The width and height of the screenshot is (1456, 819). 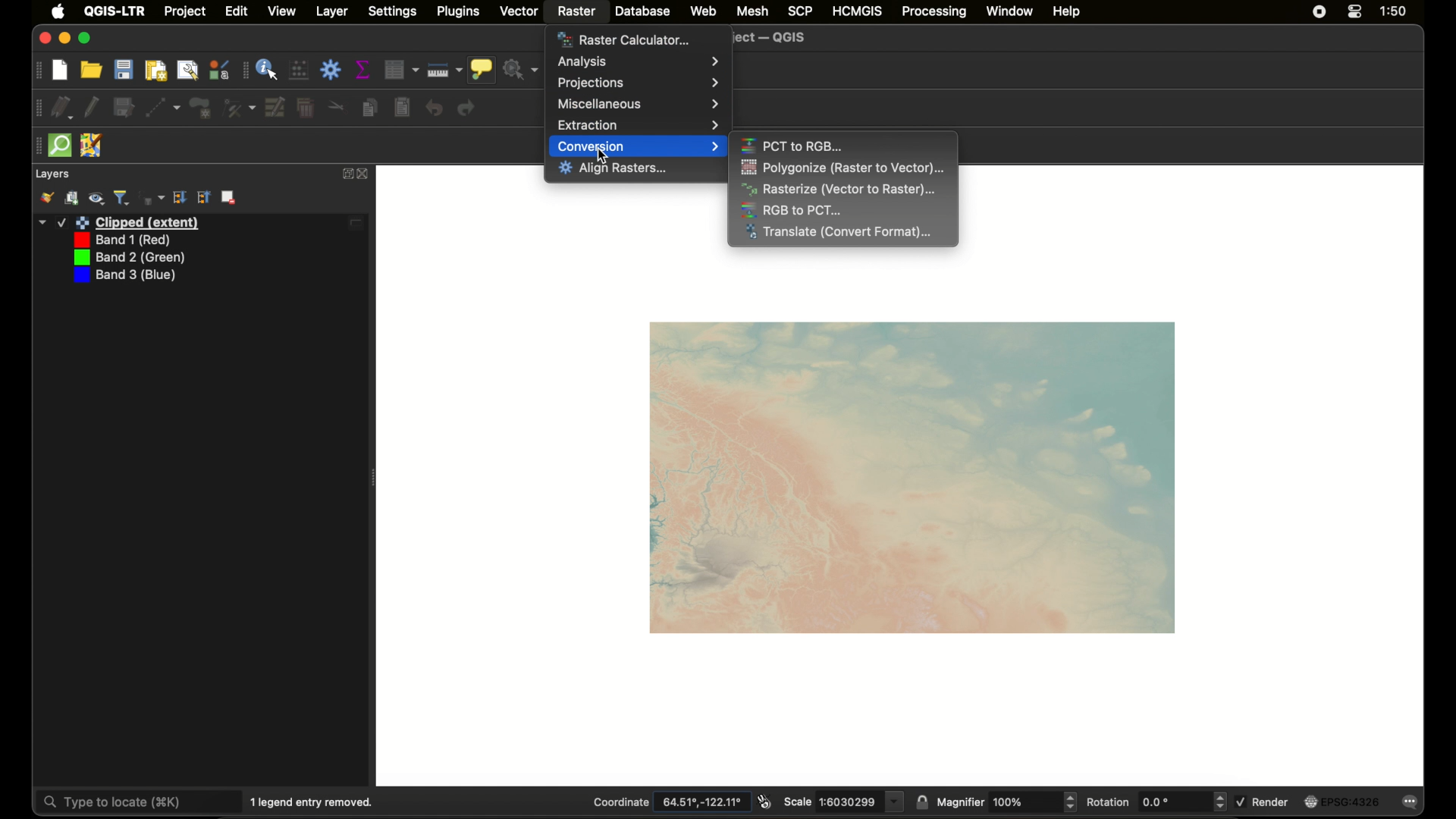 What do you see at coordinates (337, 105) in the screenshot?
I see `cut` at bounding box center [337, 105].